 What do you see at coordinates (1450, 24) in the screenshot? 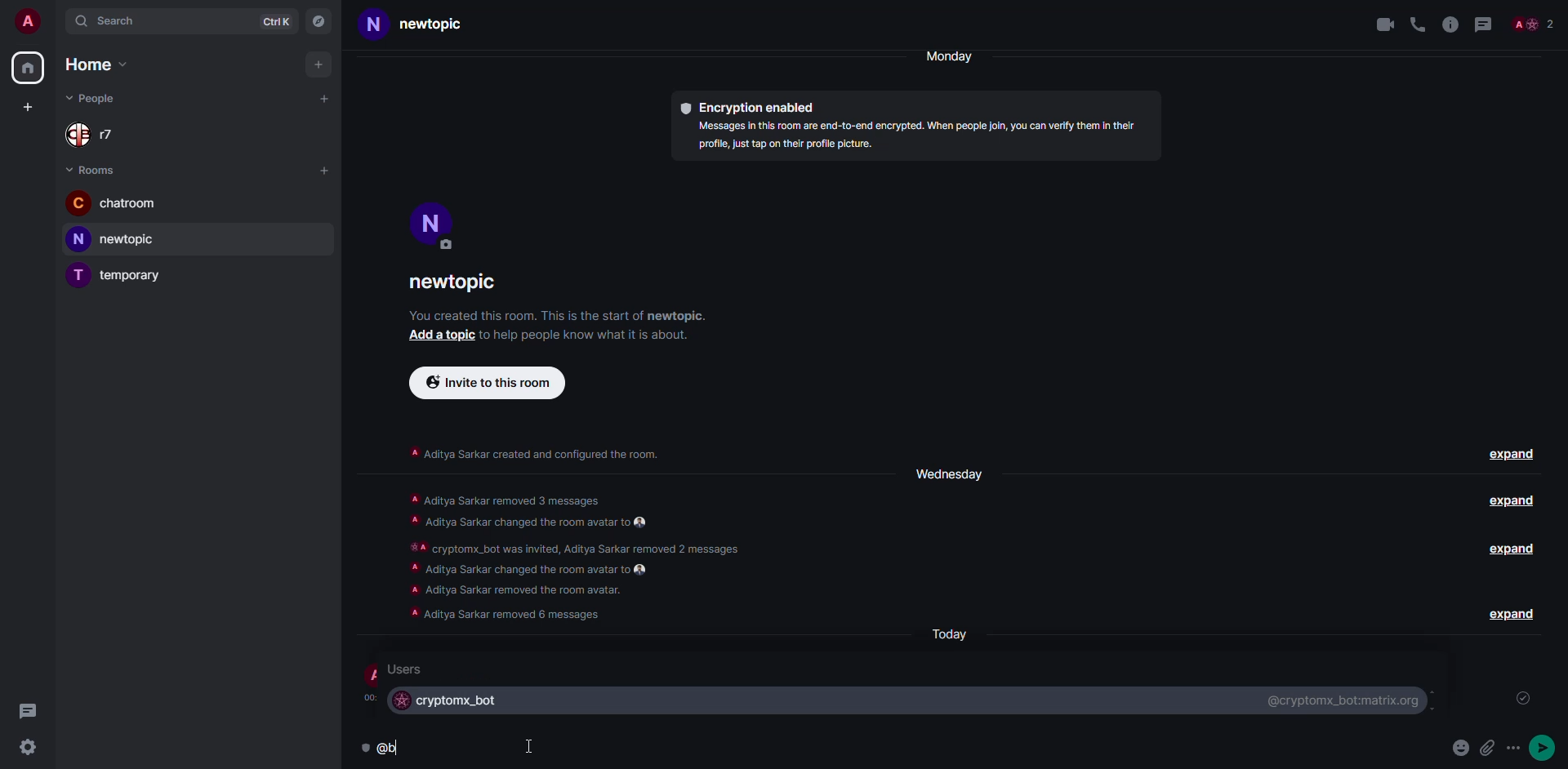
I see `info` at bounding box center [1450, 24].